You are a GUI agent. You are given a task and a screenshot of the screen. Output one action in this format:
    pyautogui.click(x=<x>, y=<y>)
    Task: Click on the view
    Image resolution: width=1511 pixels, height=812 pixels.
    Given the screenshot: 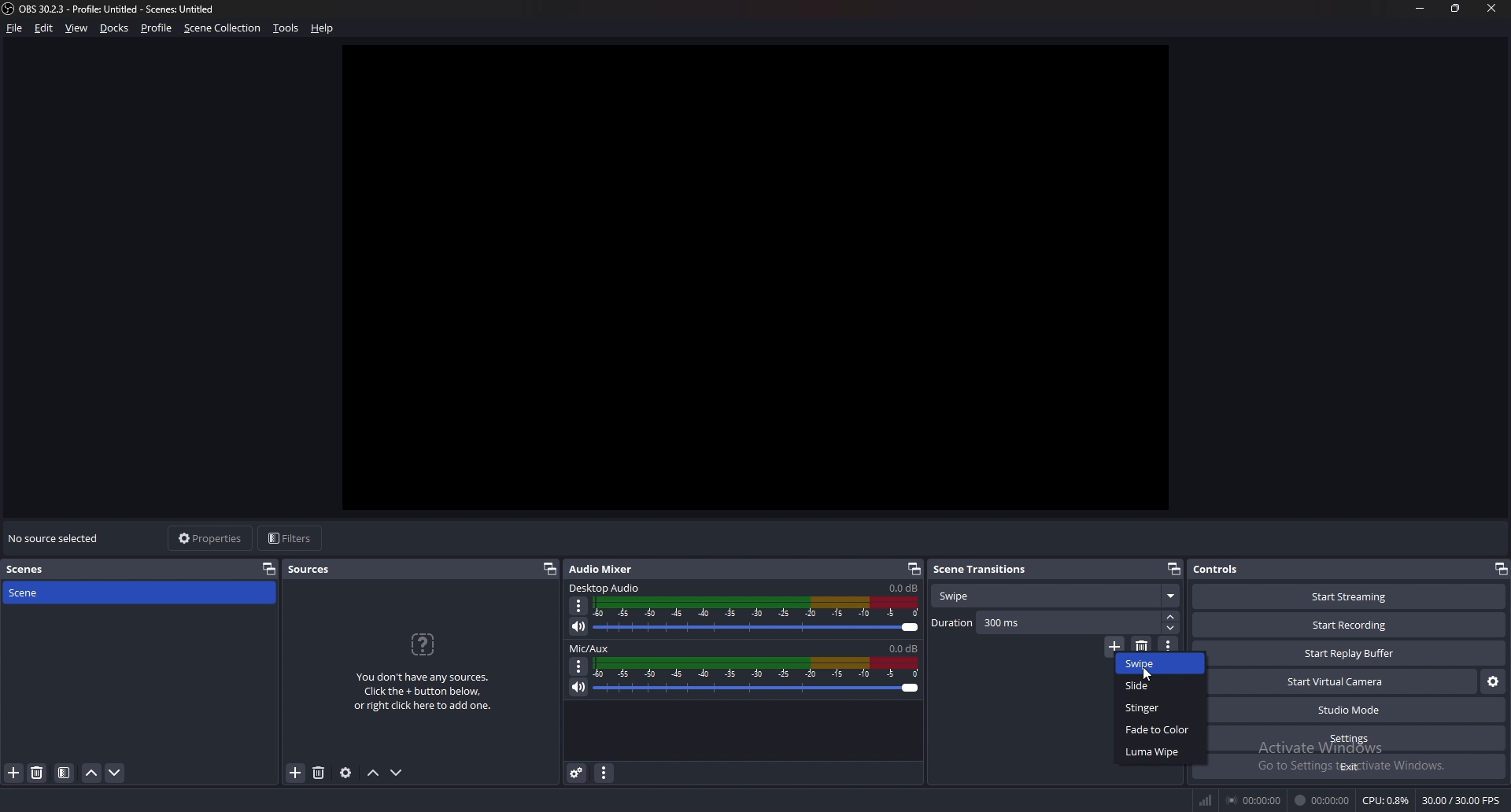 What is the action you would take?
    pyautogui.click(x=77, y=28)
    